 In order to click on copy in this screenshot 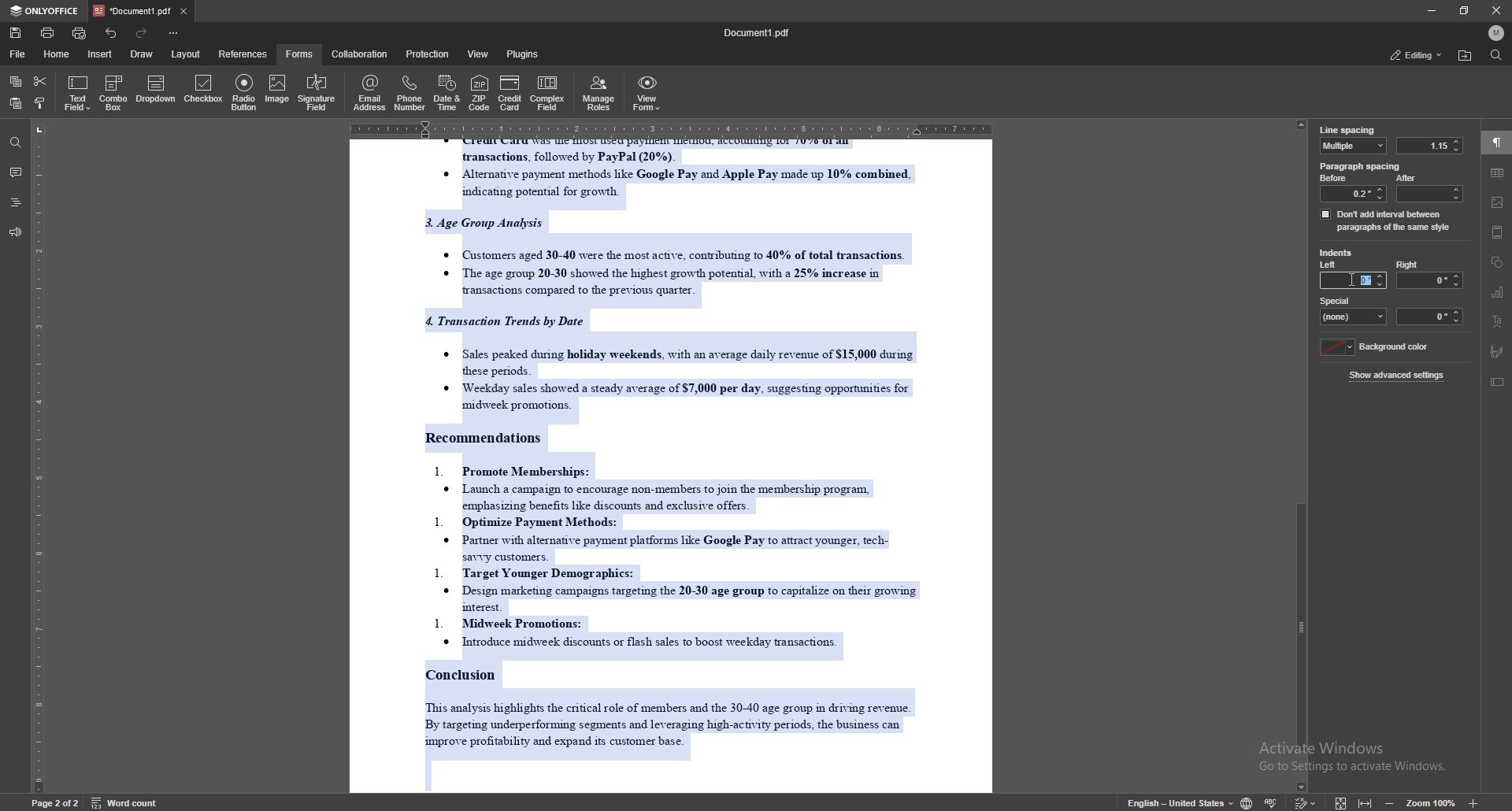, I will do `click(16, 82)`.